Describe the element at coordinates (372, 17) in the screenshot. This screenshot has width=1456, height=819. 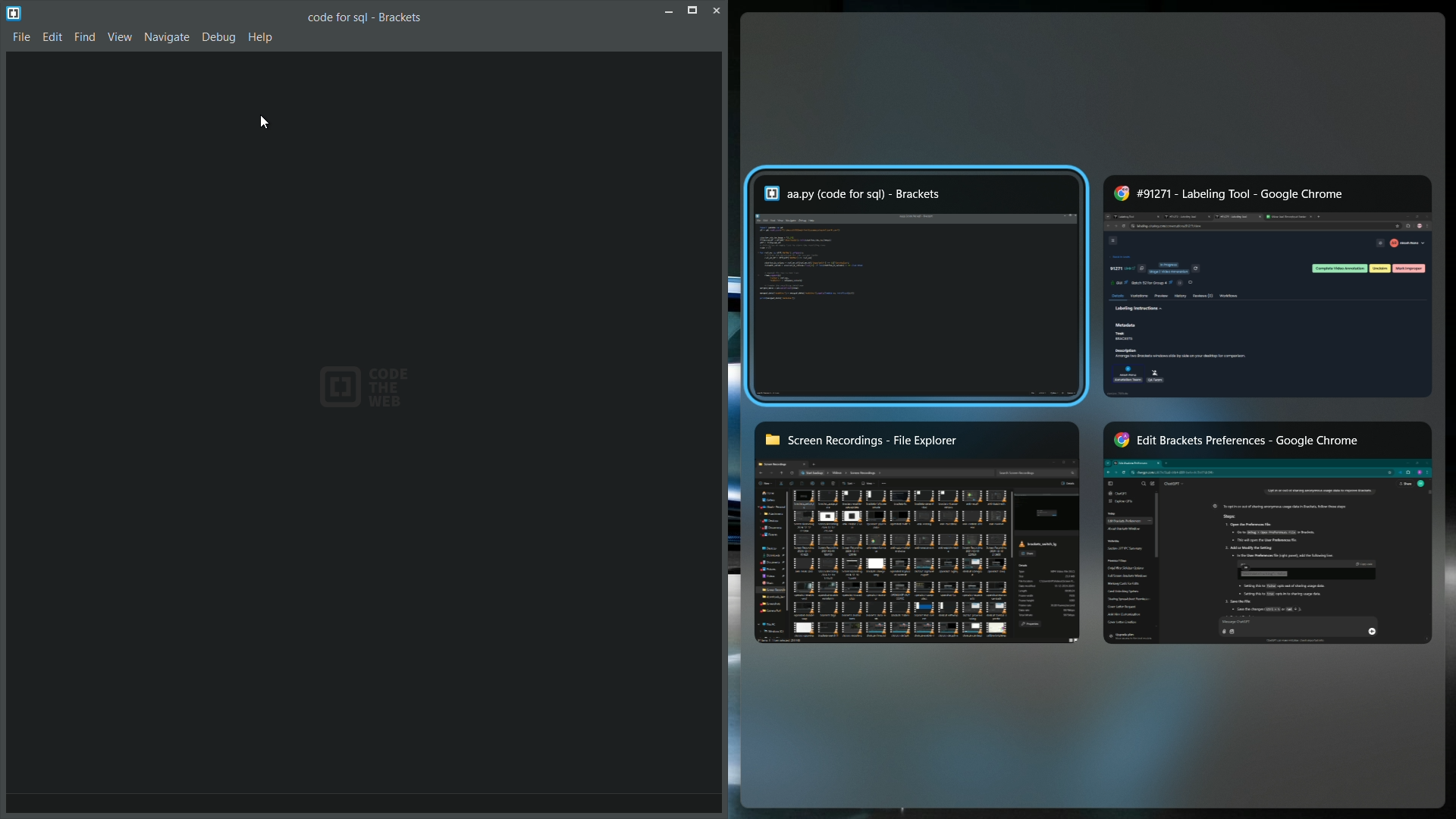
I see `Filename` at that location.